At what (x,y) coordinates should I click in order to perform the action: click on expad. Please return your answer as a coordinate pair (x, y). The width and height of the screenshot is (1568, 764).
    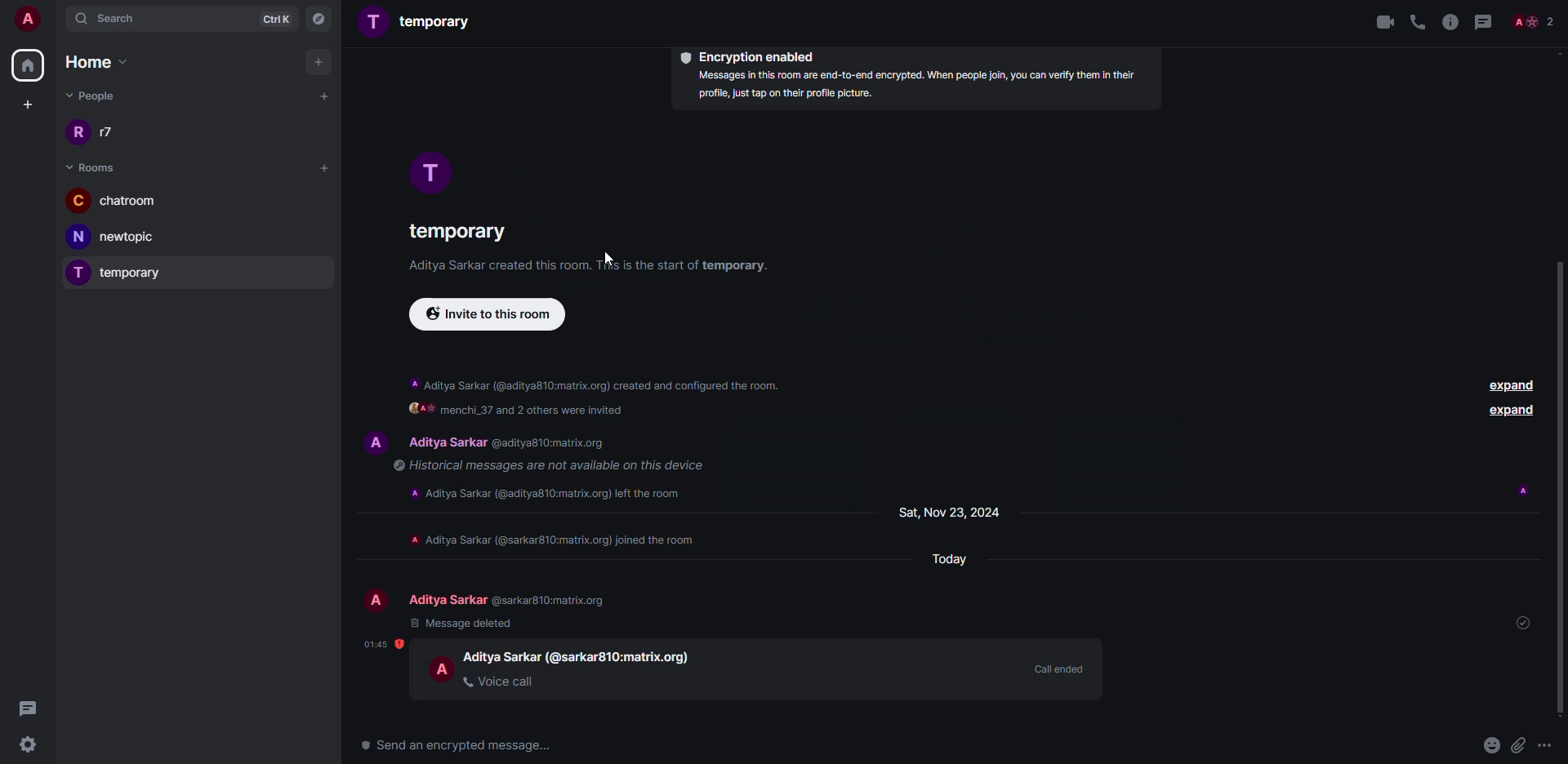
    Looking at the image, I should click on (1510, 411).